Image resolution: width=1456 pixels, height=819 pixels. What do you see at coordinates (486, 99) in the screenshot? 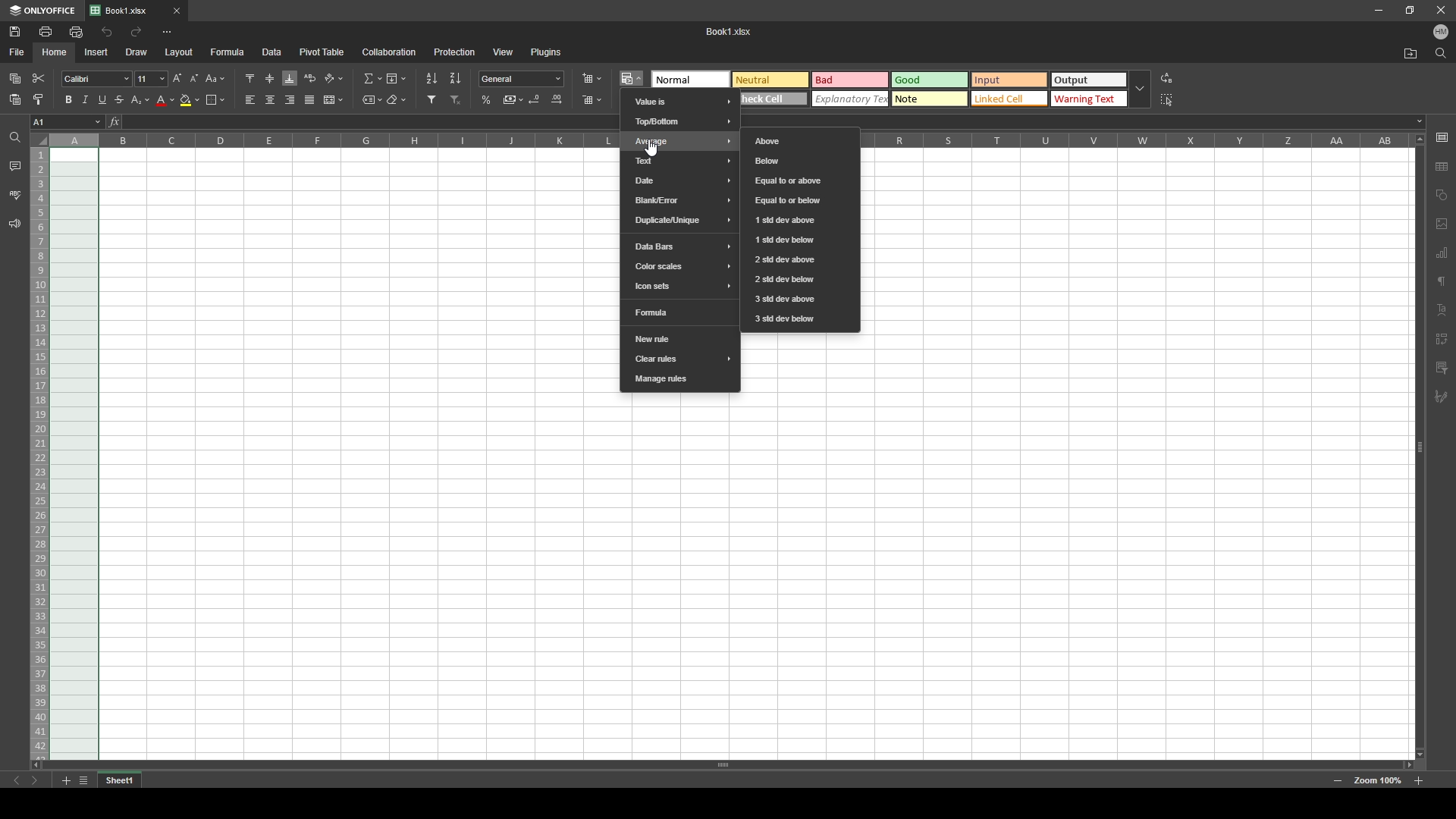
I see `percentage style` at bounding box center [486, 99].